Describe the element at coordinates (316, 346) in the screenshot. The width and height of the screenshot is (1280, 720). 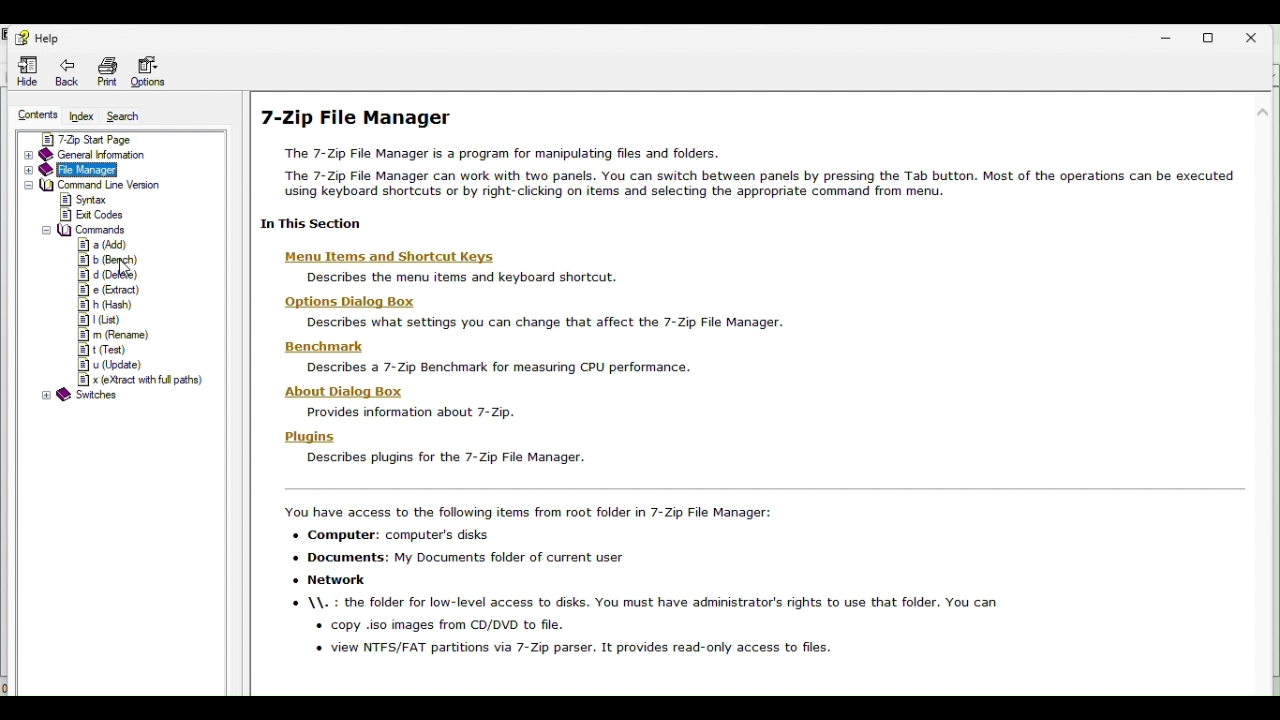
I see `‘Benchmark` at that location.